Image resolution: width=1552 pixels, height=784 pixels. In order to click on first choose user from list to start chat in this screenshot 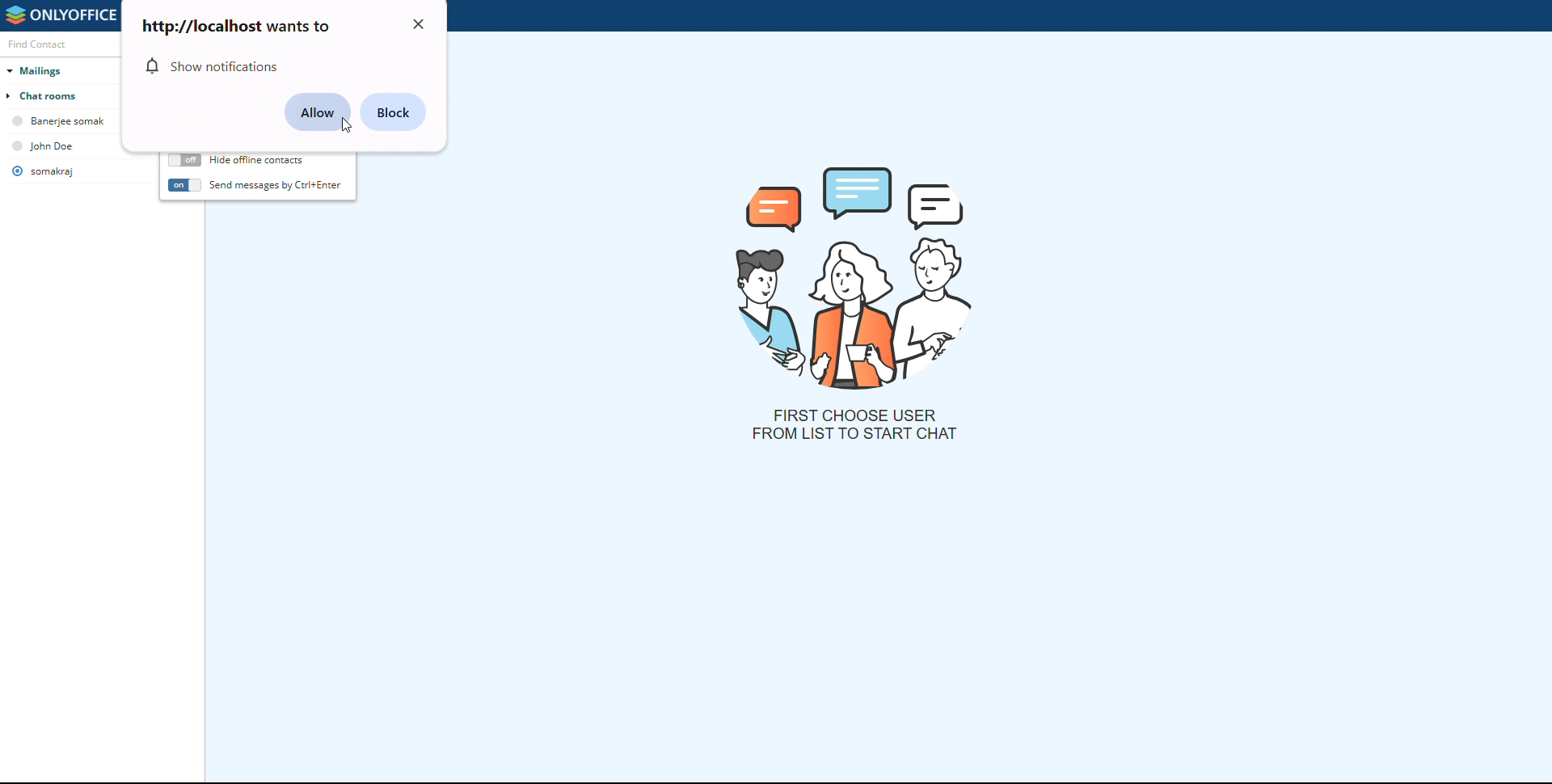, I will do `click(854, 424)`.